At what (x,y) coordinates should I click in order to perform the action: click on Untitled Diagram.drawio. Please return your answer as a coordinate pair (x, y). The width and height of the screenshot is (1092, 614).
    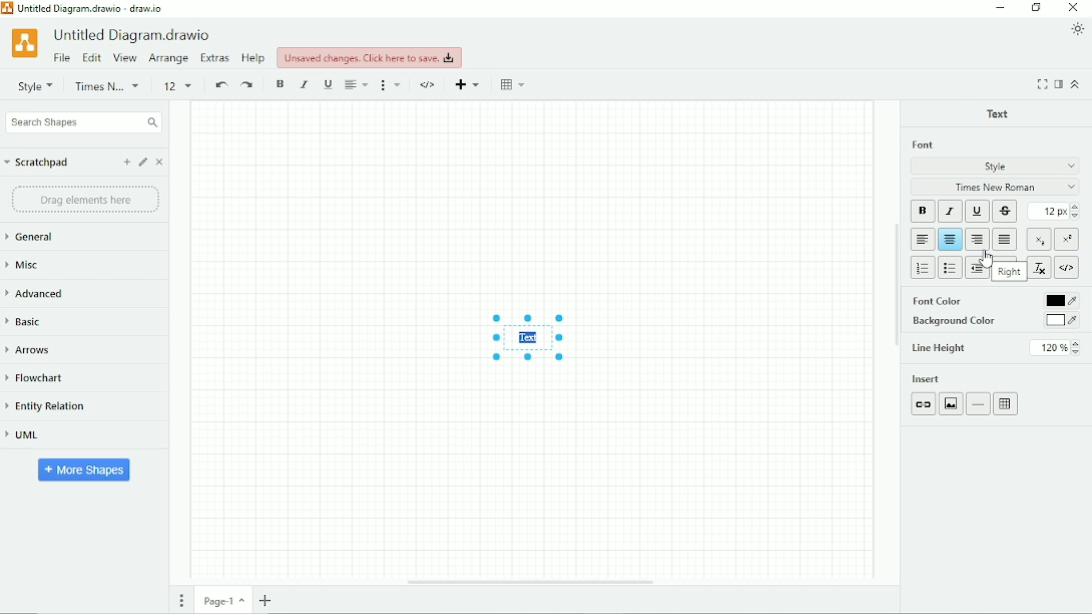
    Looking at the image, I should click on (136, 35).